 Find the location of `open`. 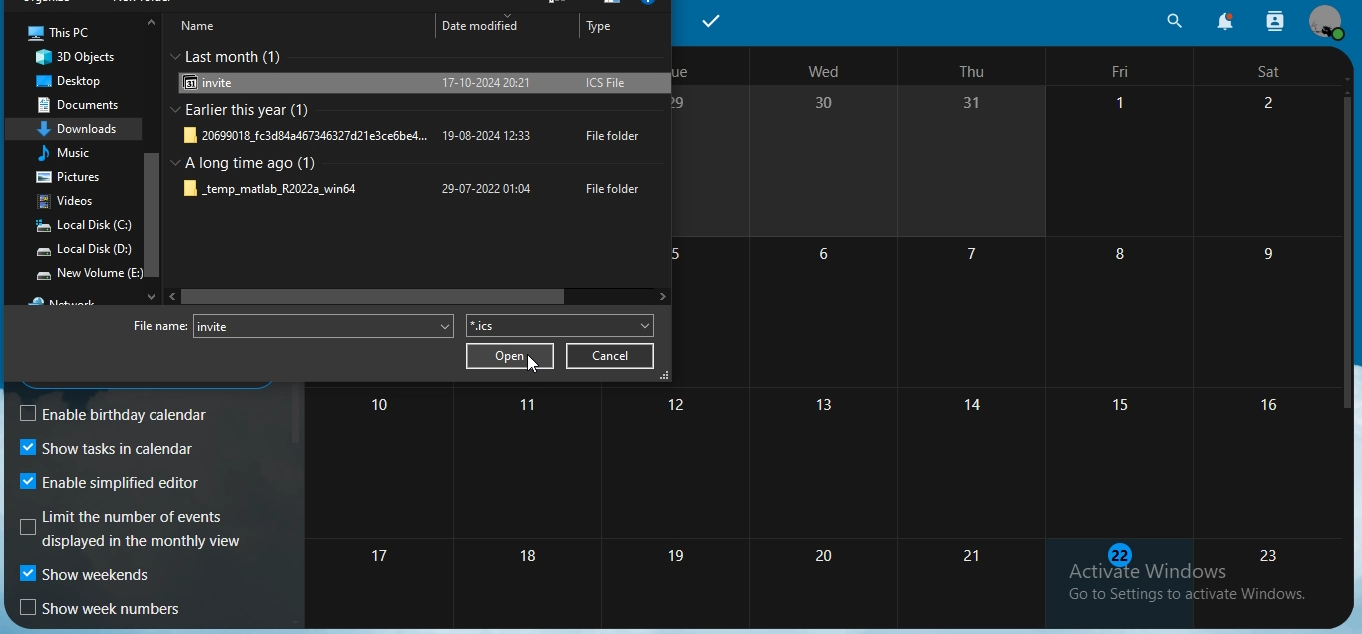

open is located at coordinates (511, 358).